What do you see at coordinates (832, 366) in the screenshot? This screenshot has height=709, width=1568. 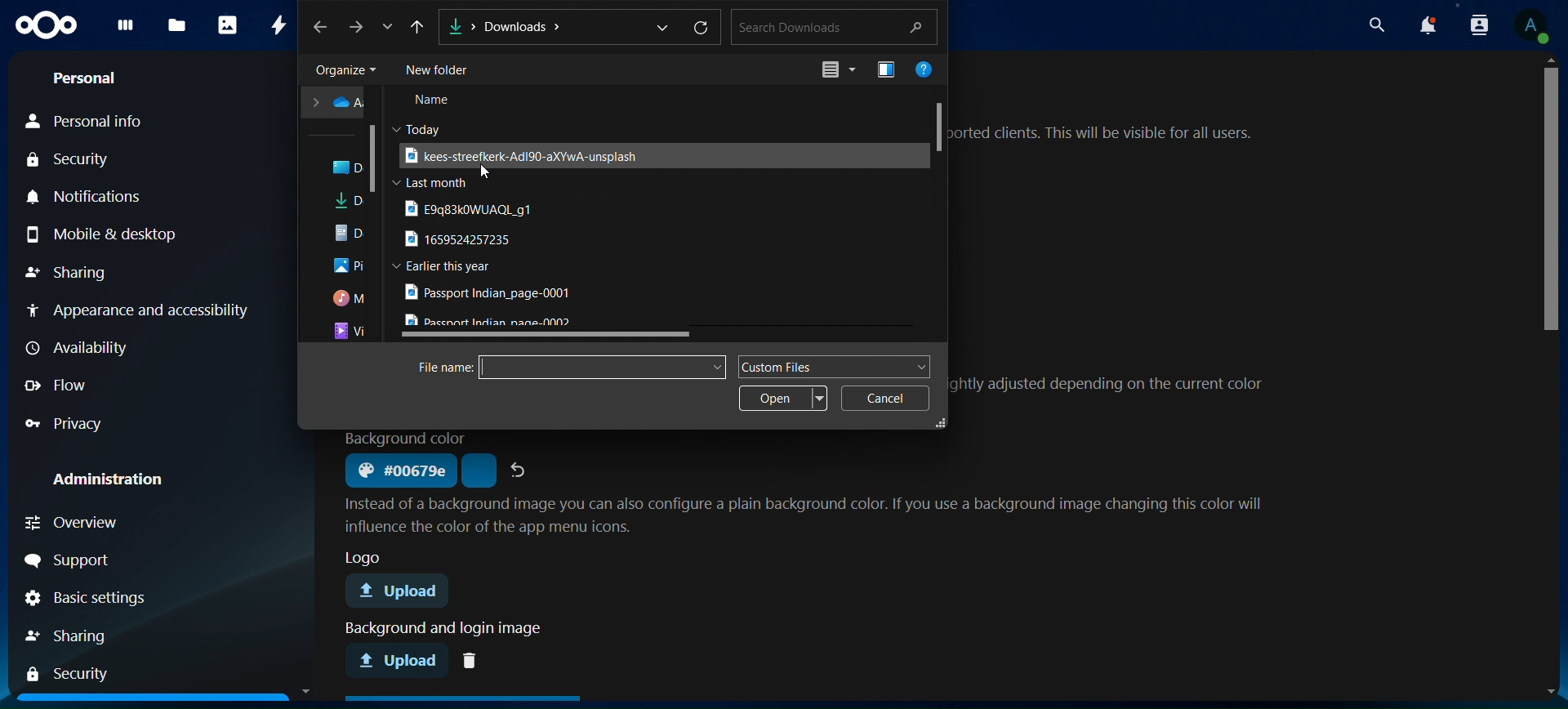 I see `custom files` at bounding box center [832, 366].